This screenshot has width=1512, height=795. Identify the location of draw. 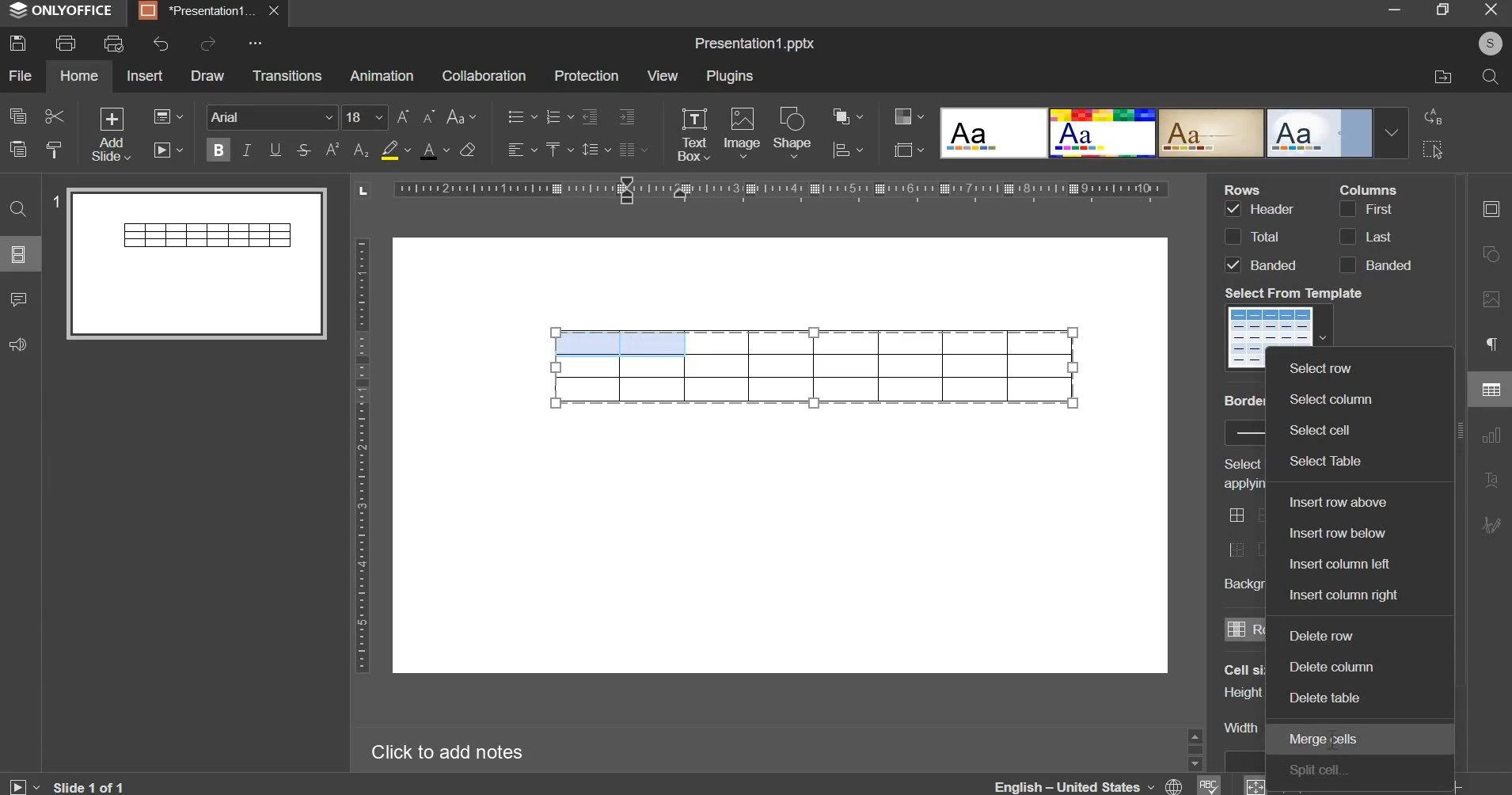
(208, 75).